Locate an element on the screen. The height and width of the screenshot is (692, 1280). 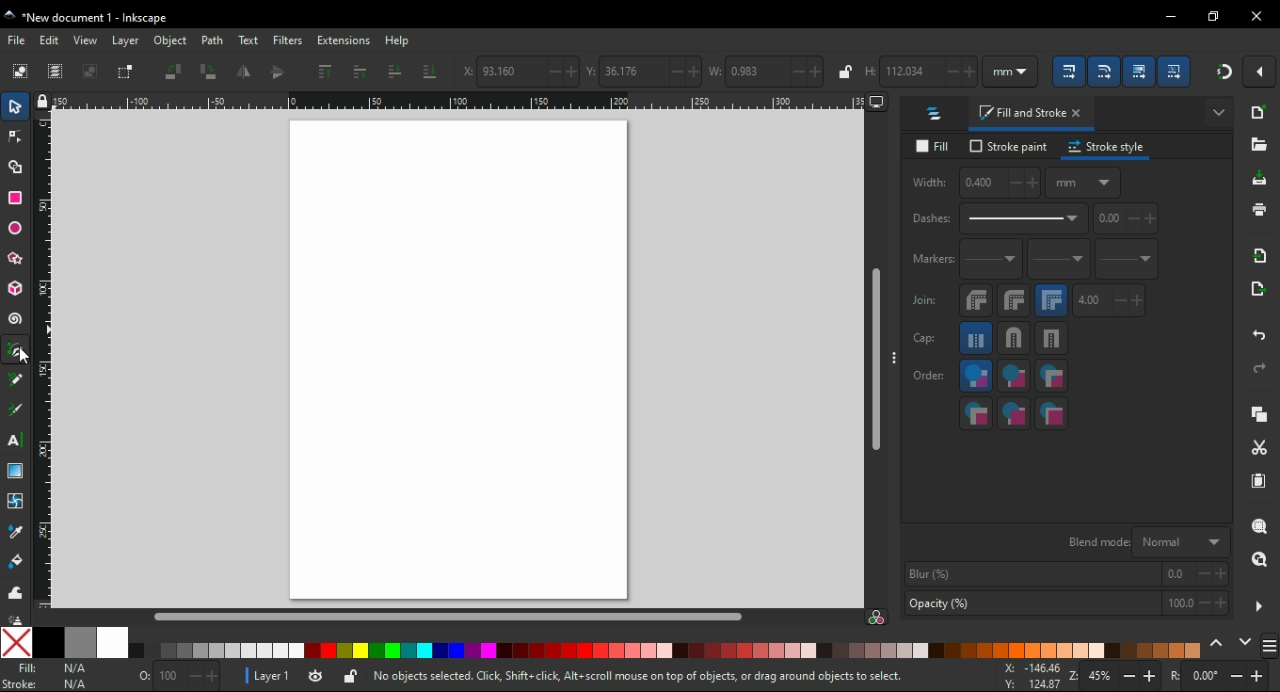
when scaling rectangles, scale the radii of rounded corners is located at coordinates (1104, 72).